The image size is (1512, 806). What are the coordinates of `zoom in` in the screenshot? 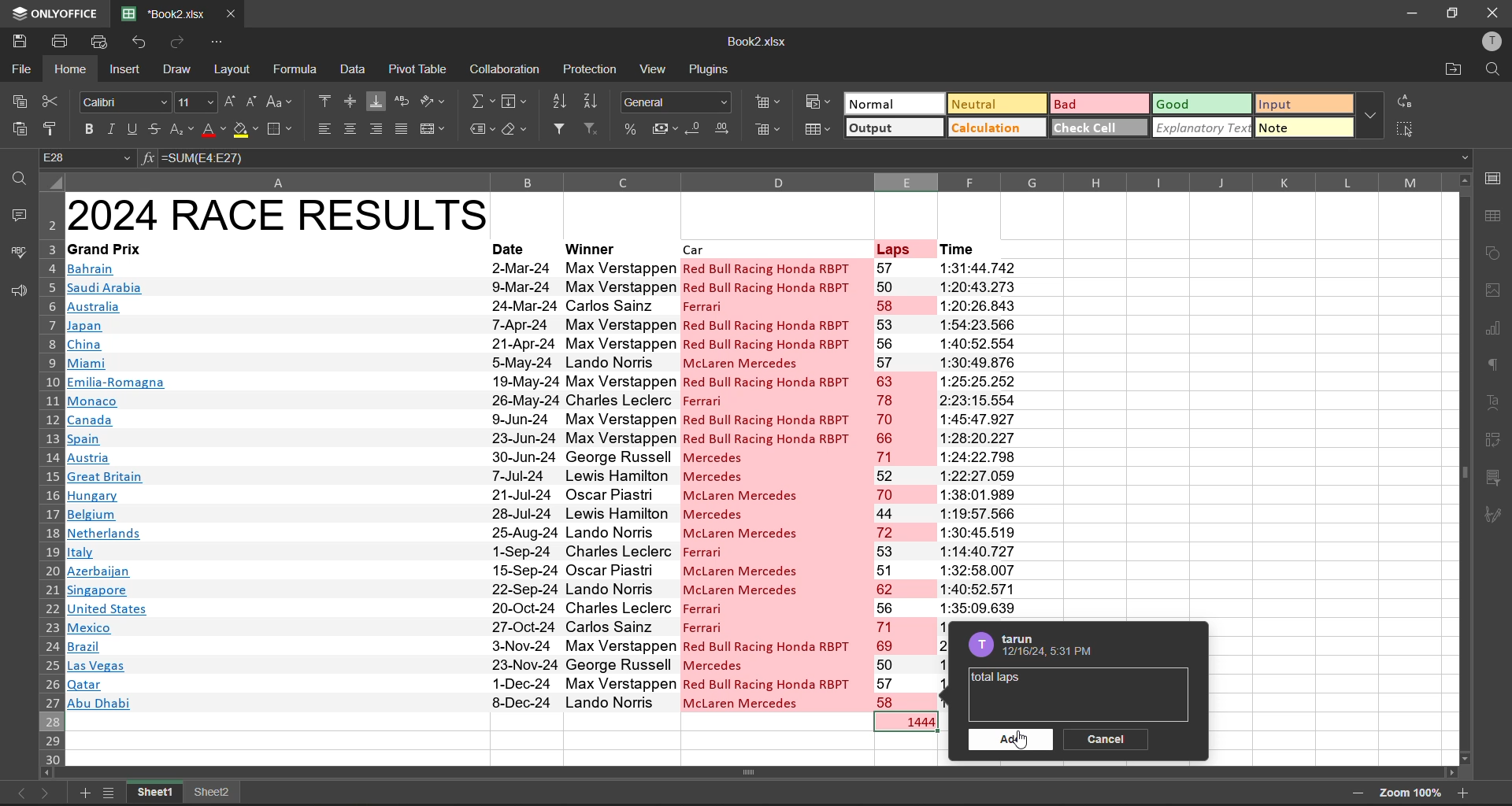 It's located at (1462, 794).